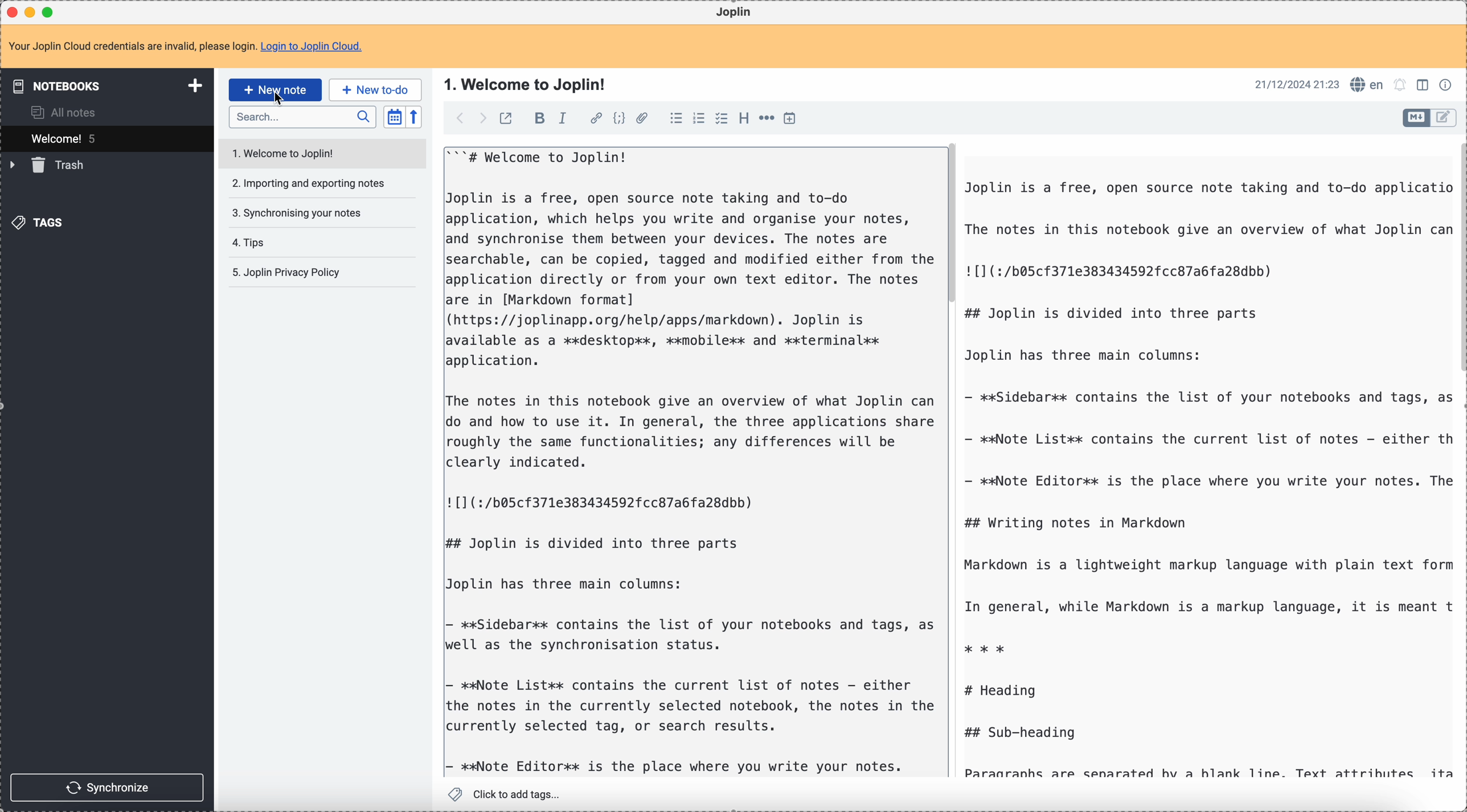  I want to click on checklist, so click(722, 119).